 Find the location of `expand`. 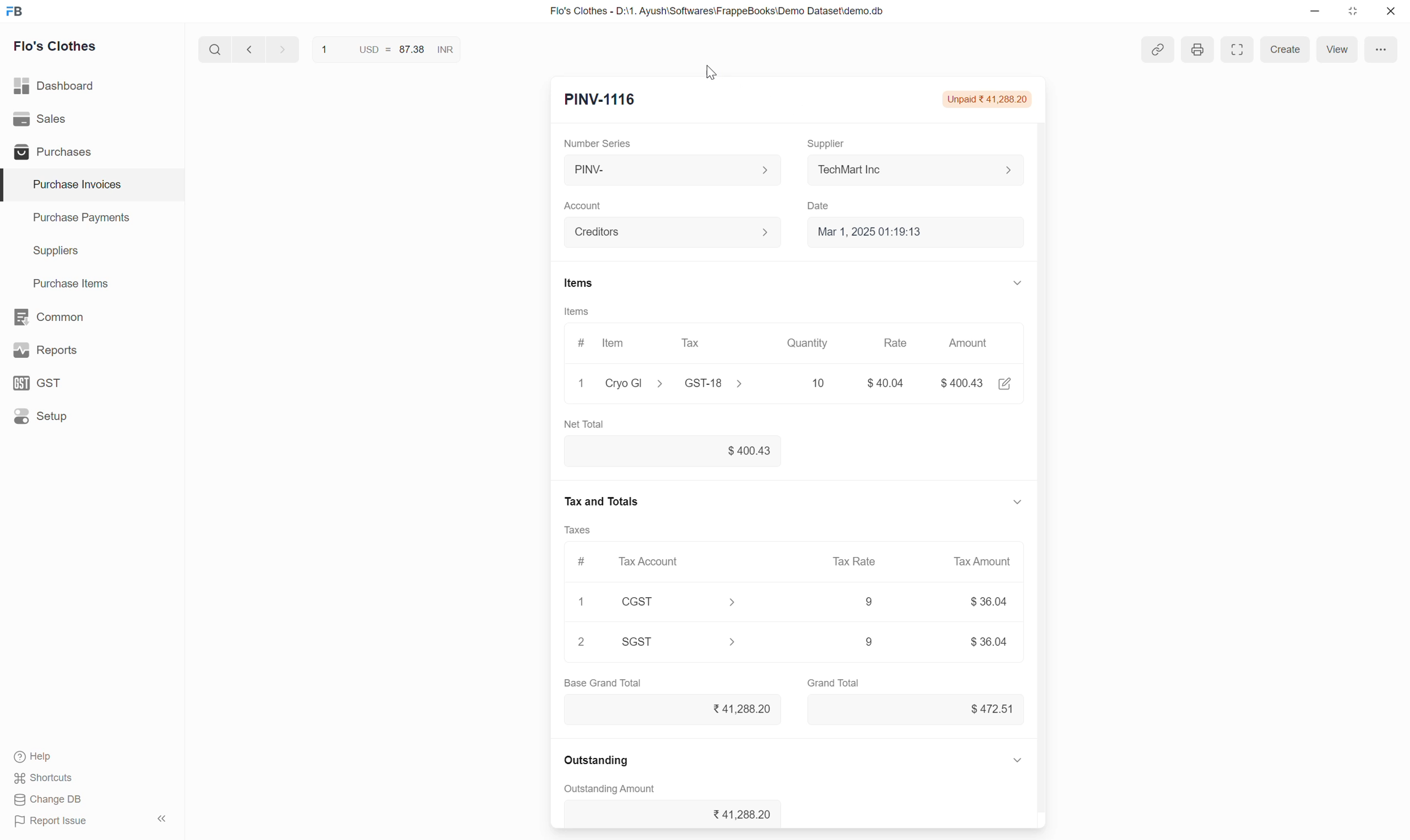

expand is located at coordinates (1016, 504).